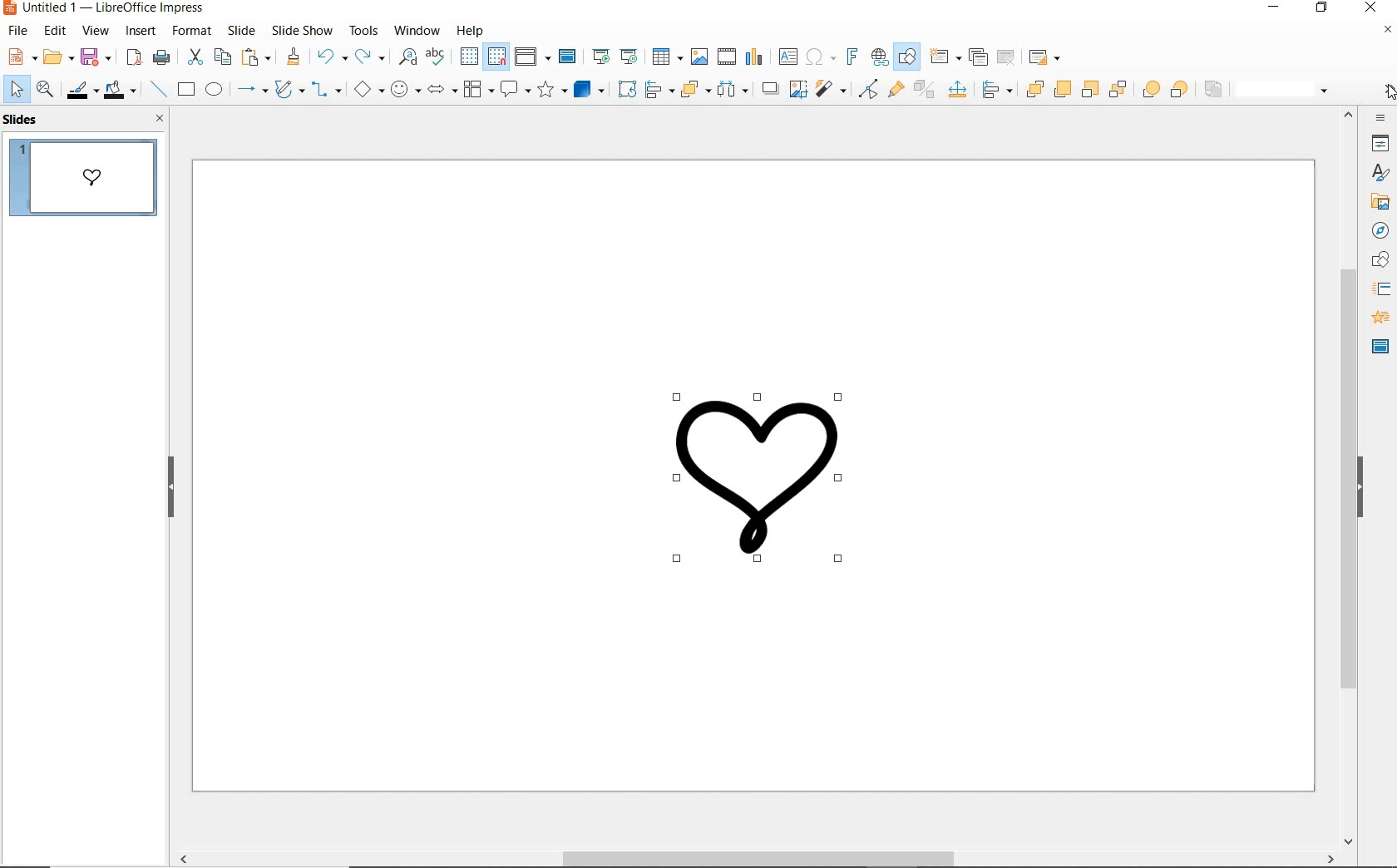  Describe the element at coordinates (754, 60) in the screenshot. I see `insert chart` at that location.